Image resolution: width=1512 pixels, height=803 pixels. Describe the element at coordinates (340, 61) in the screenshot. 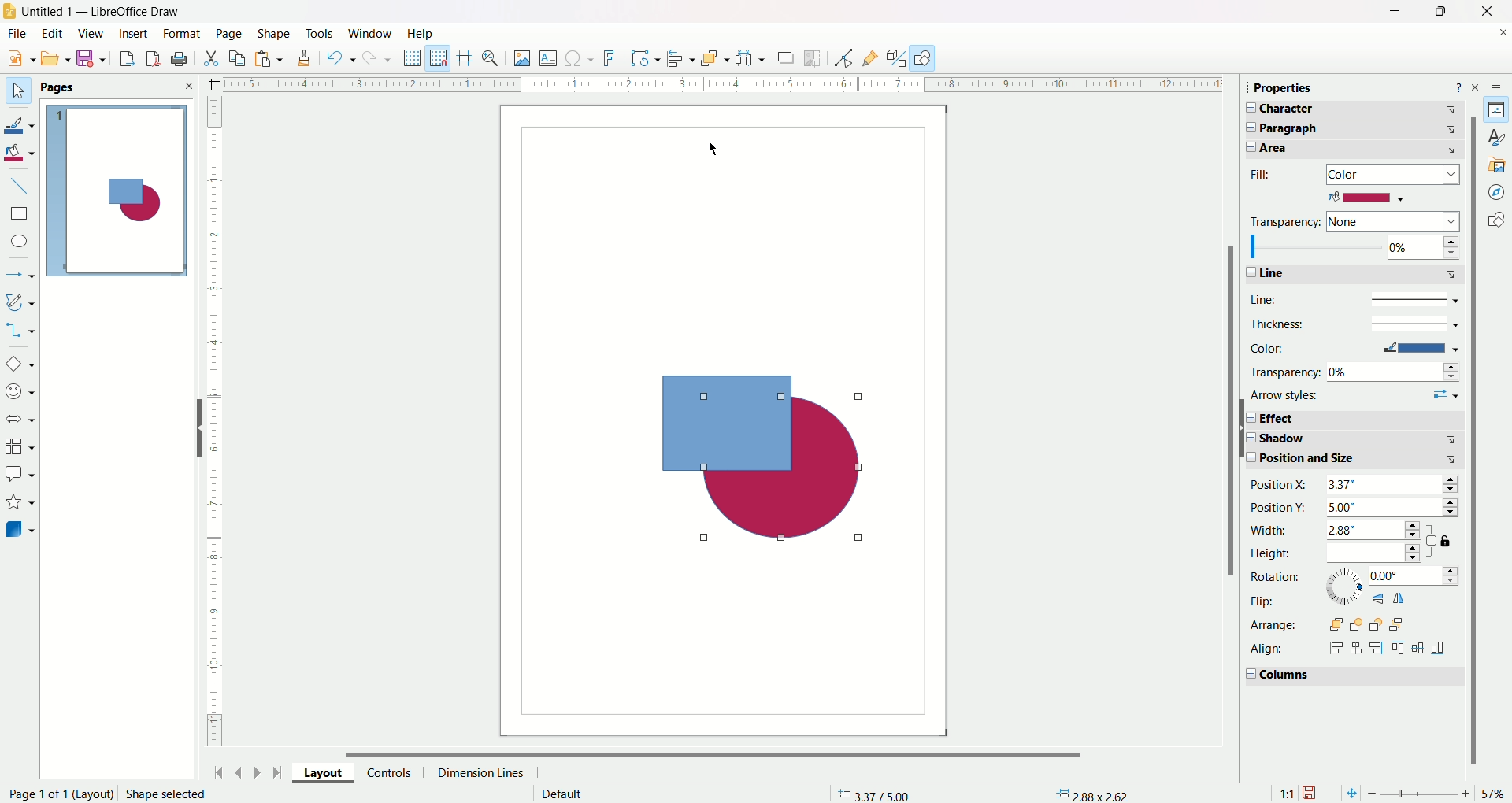

I see `undo` at that location.